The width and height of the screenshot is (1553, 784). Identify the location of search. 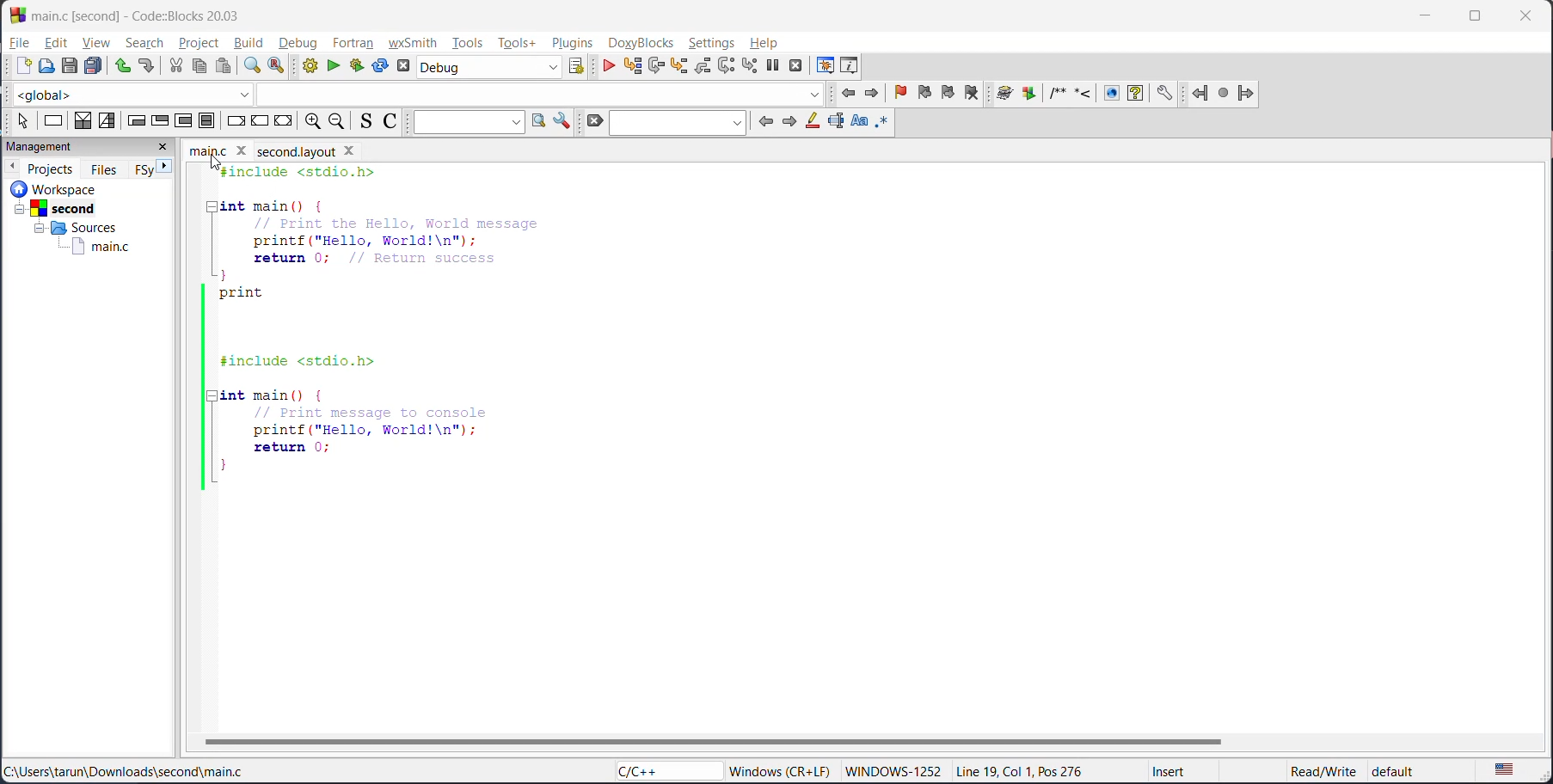
(677, 123).